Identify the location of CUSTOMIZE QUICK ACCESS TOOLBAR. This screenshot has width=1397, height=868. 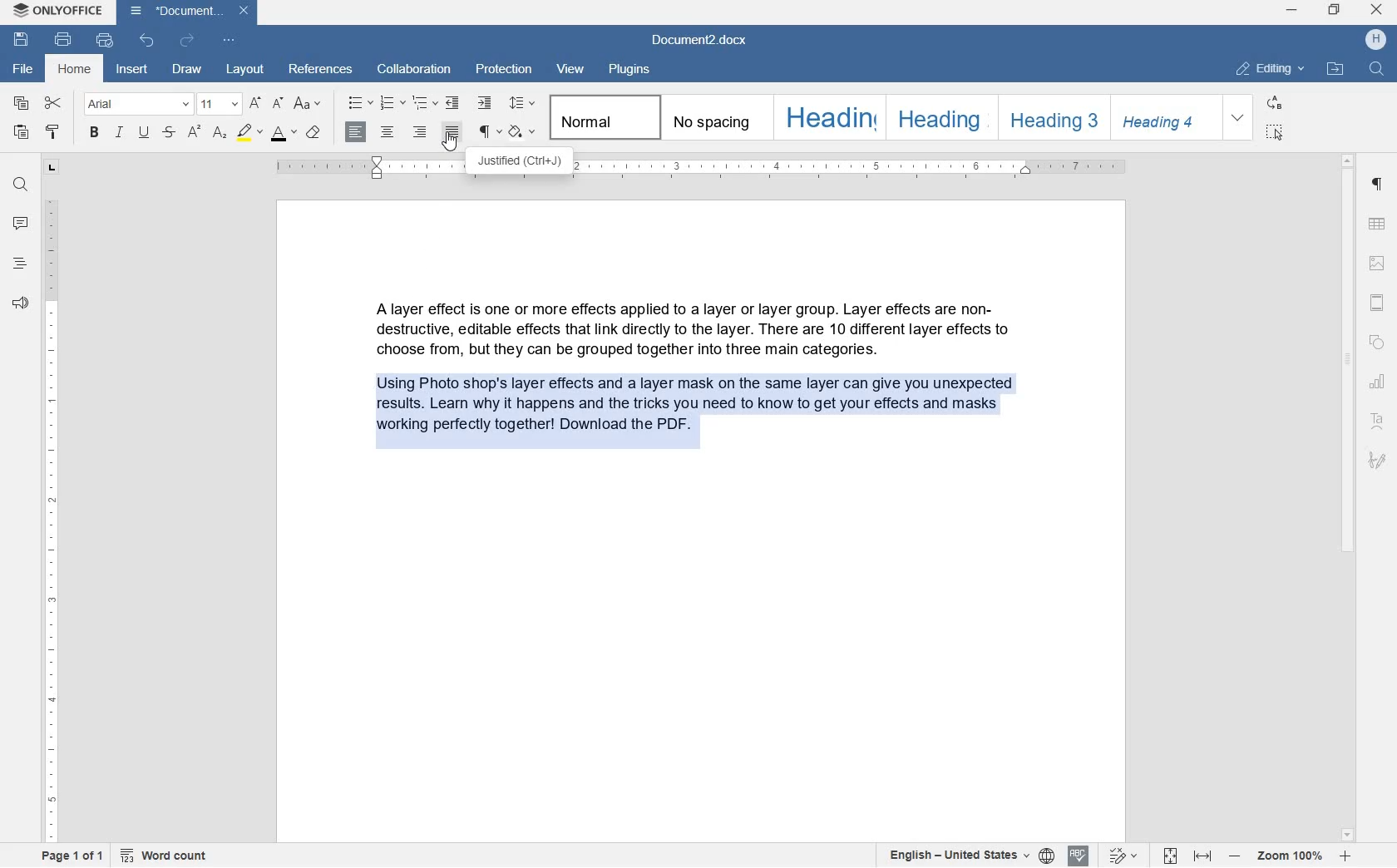
(231, 40).